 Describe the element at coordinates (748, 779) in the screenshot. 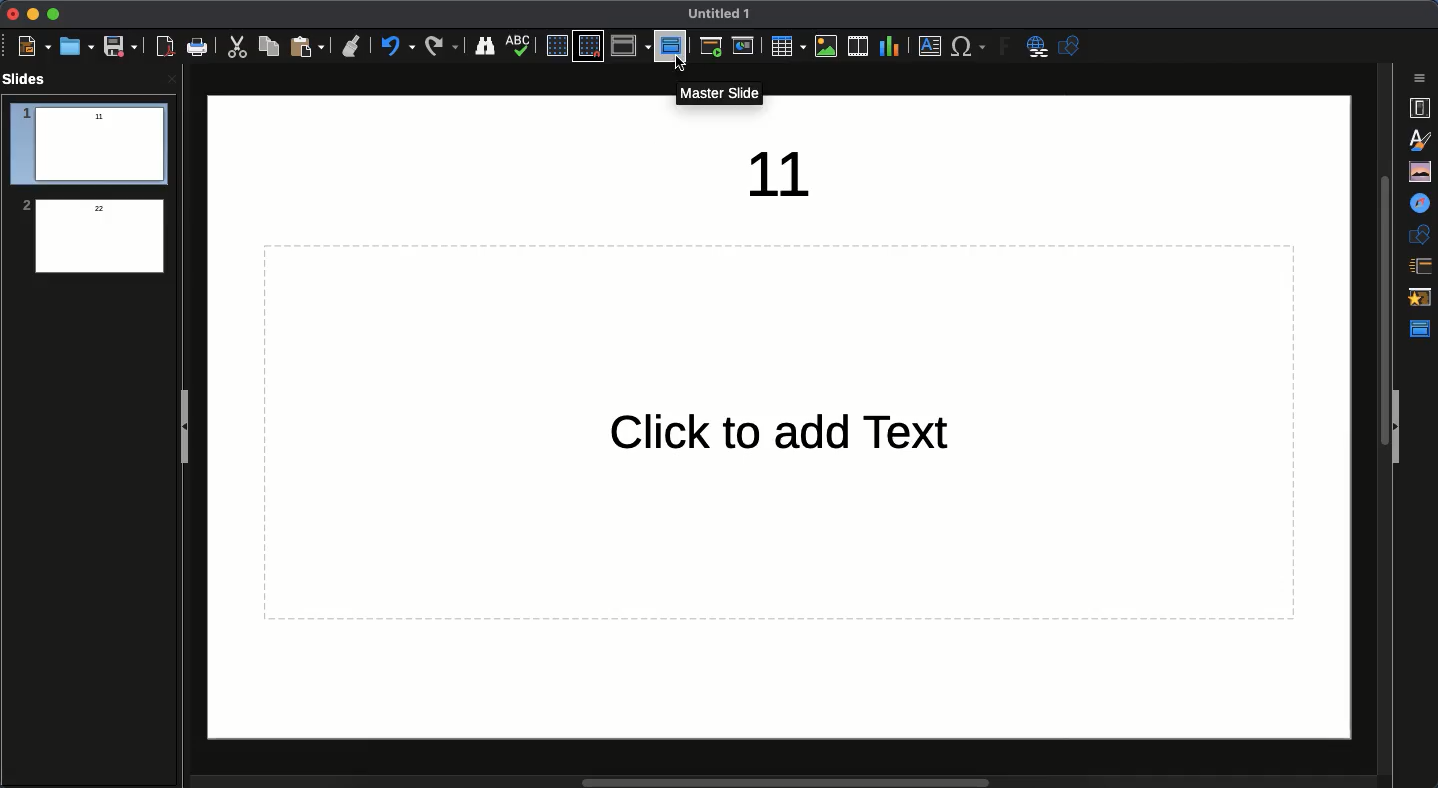

I see `Scroll` at that location.